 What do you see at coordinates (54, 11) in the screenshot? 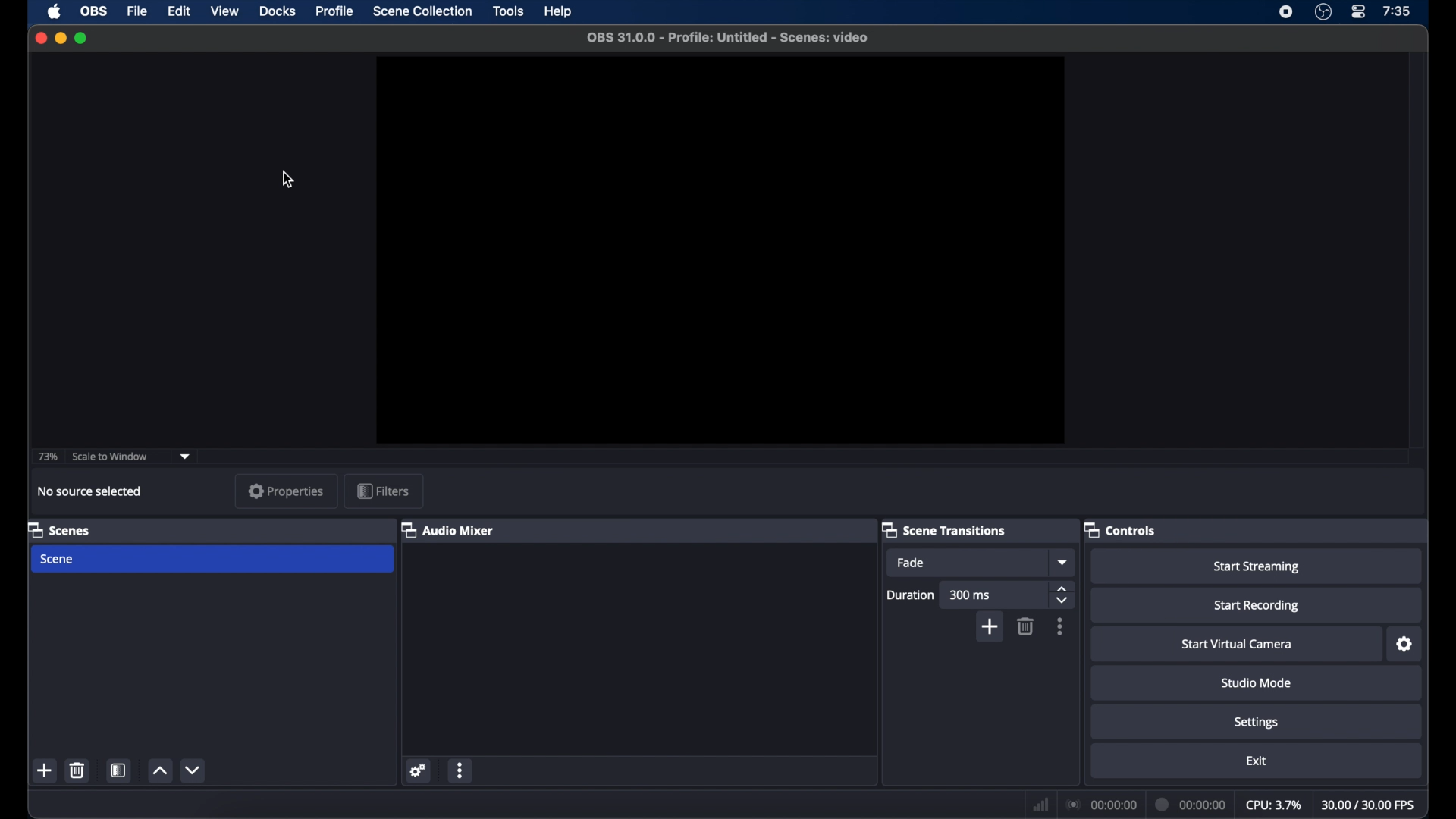
I see `apple icon` at bounding box center [54, 11].